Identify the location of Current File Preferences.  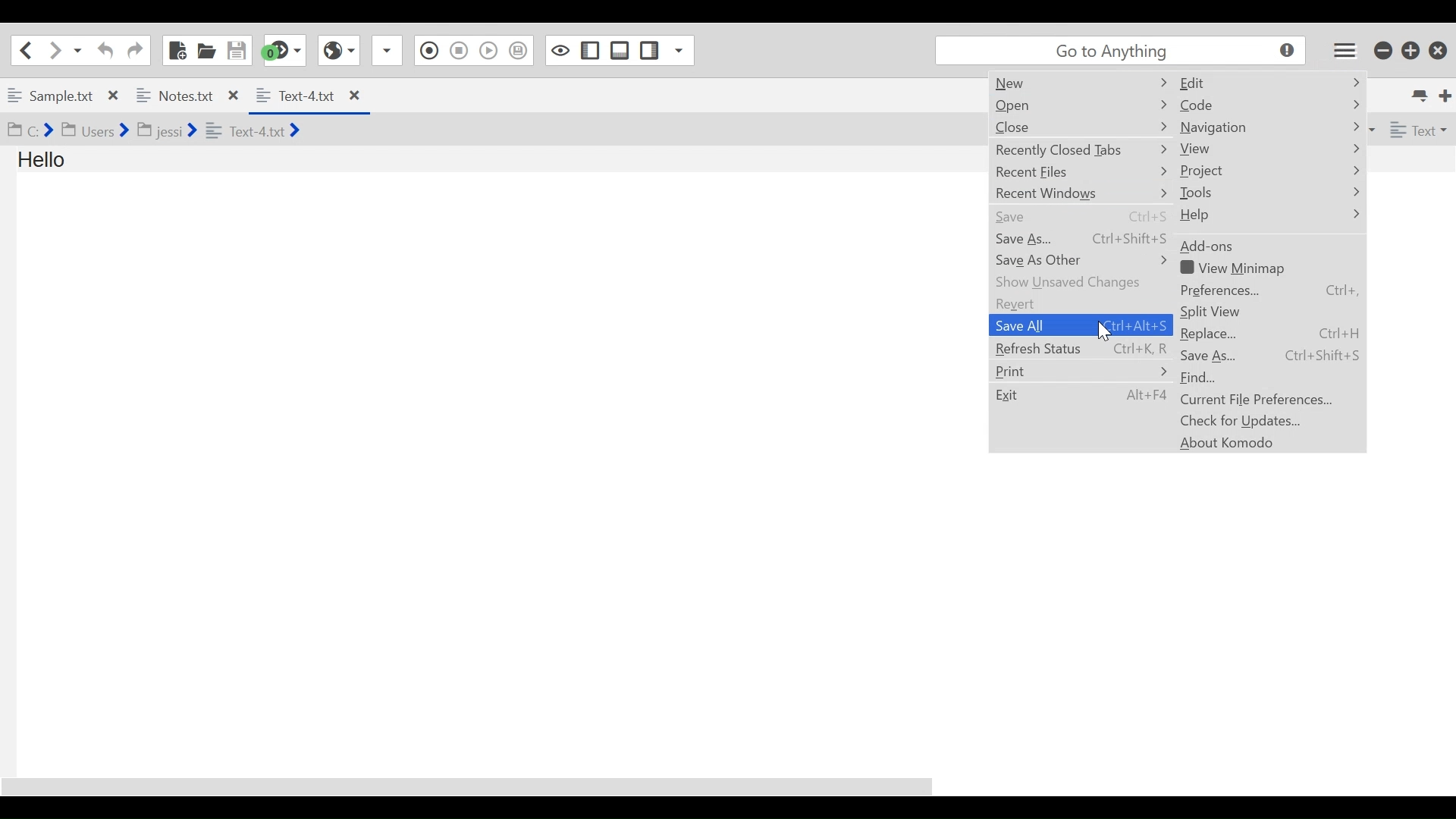
(1262, 400).